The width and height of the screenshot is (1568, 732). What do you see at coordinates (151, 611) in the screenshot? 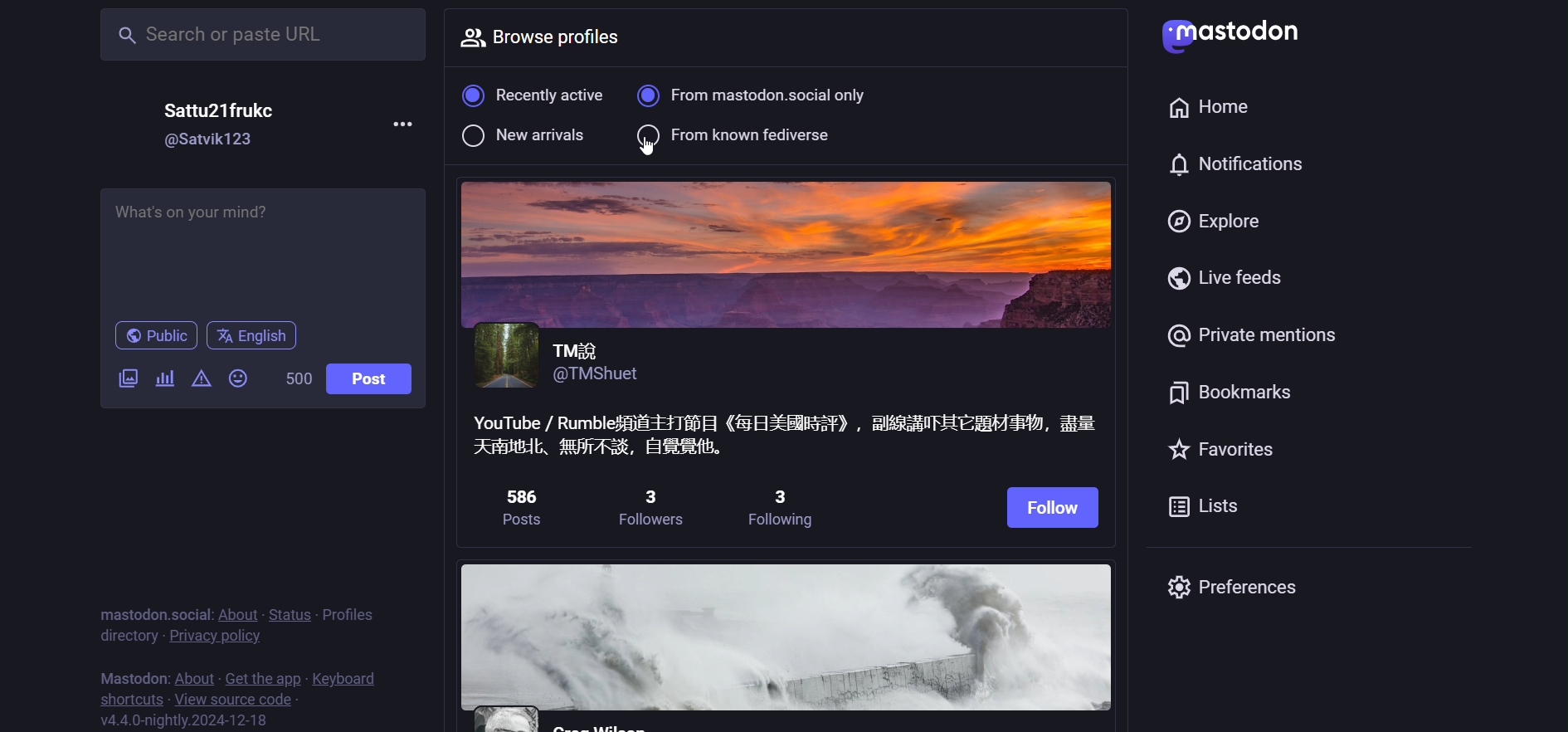
I see `mastodon social` at bounding box center [151, 611].